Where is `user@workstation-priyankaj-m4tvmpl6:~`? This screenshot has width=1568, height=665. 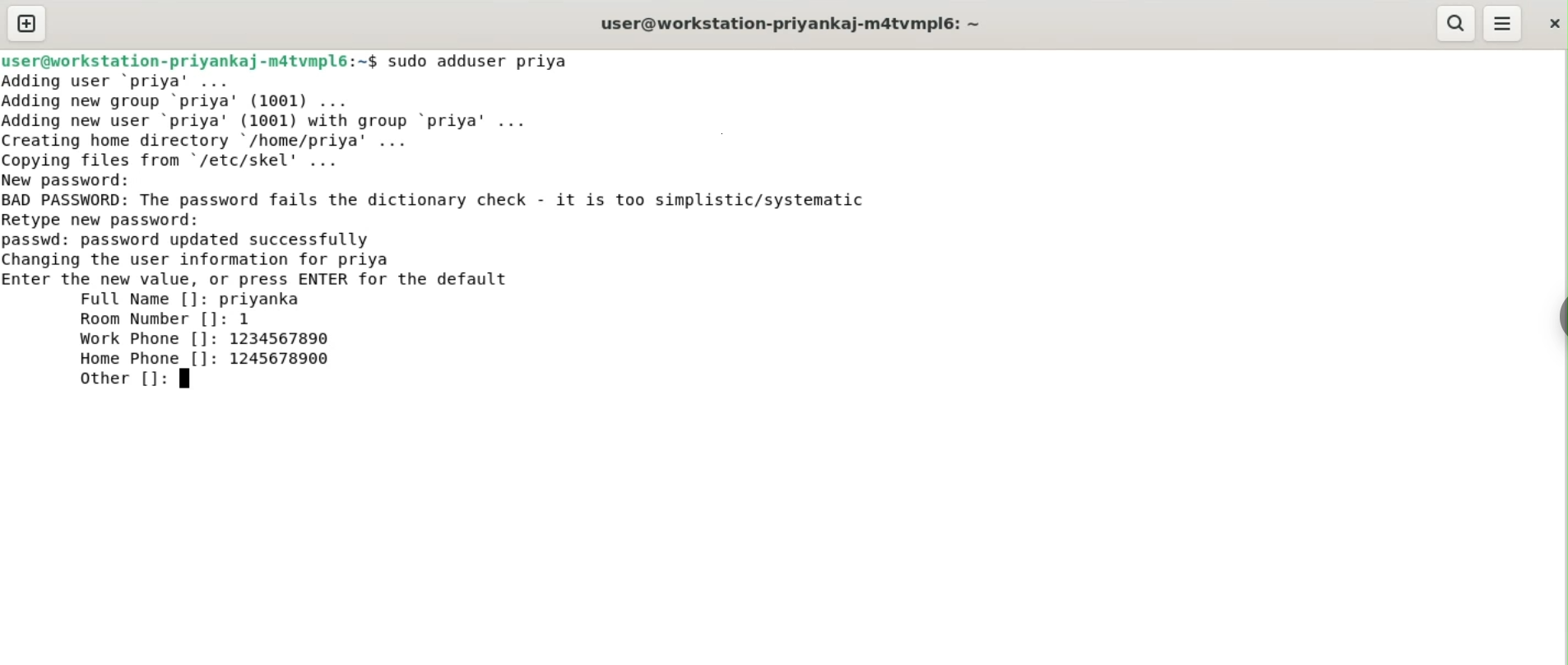 user@workstation-priyankaj-m4tvmpl6:~ is located at coordinates (787, 23).